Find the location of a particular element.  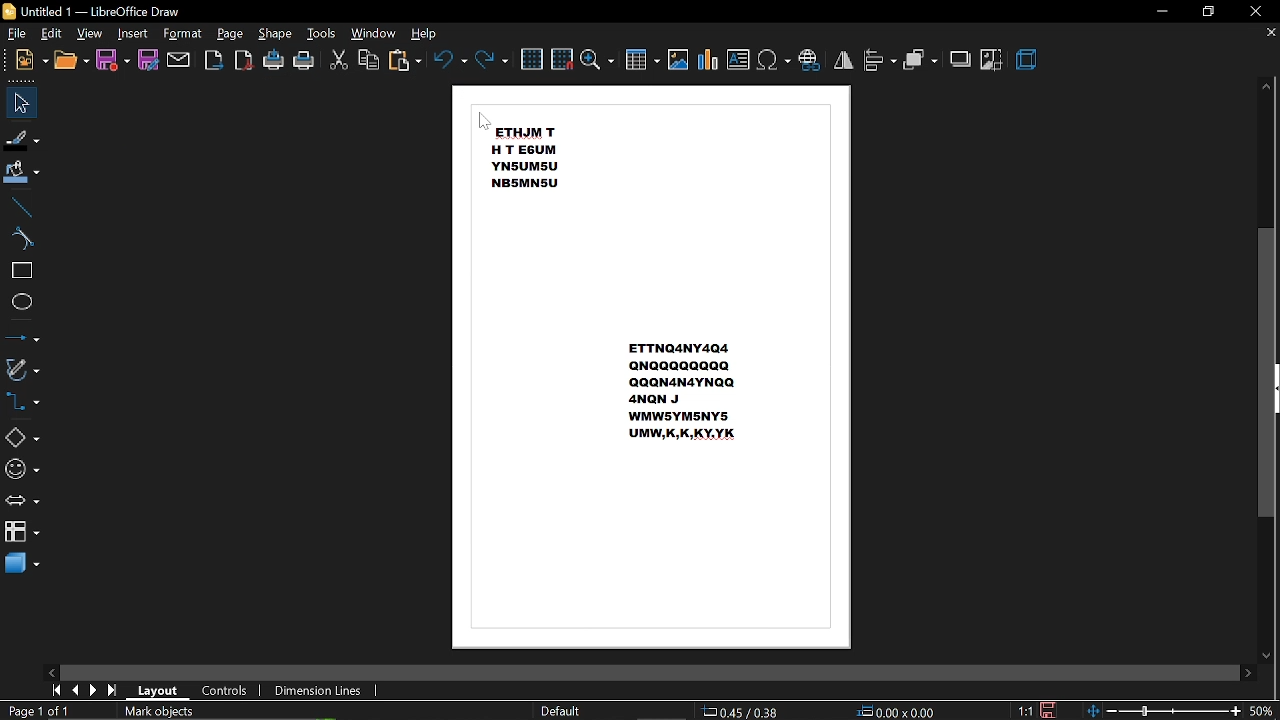

minimize is located at coordinates (1161, 10).